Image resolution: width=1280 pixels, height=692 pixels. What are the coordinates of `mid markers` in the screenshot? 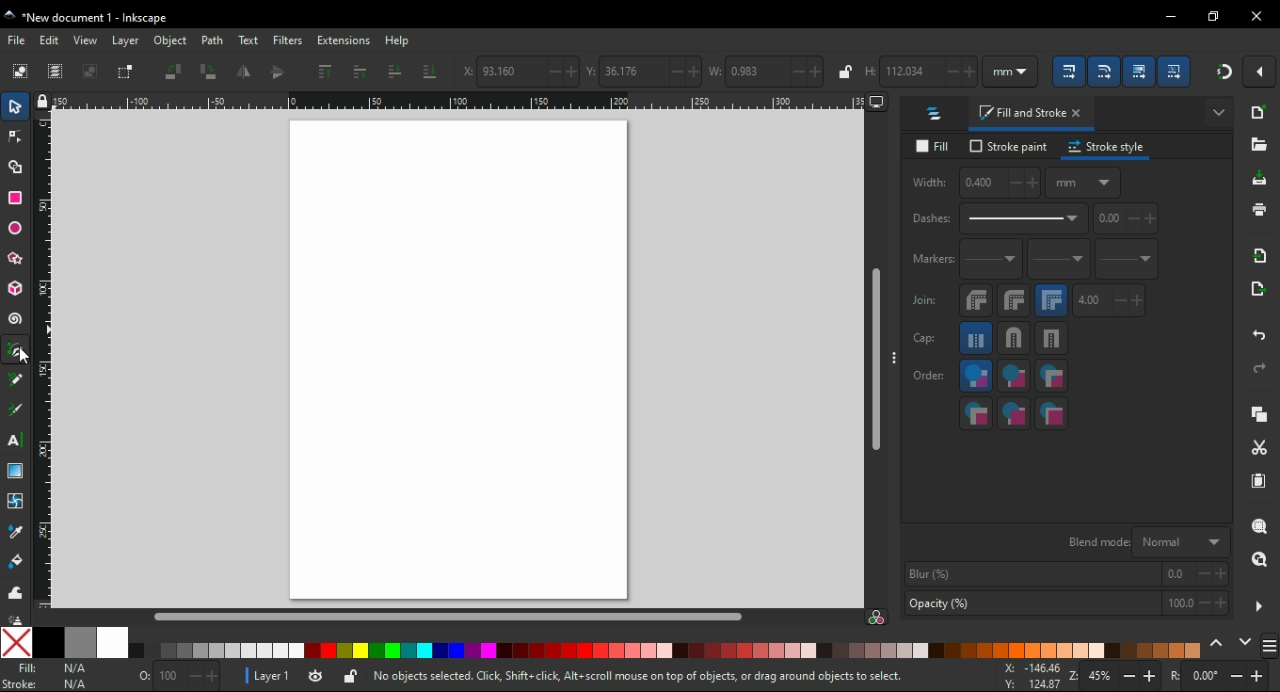 It's located at (1058, 260).